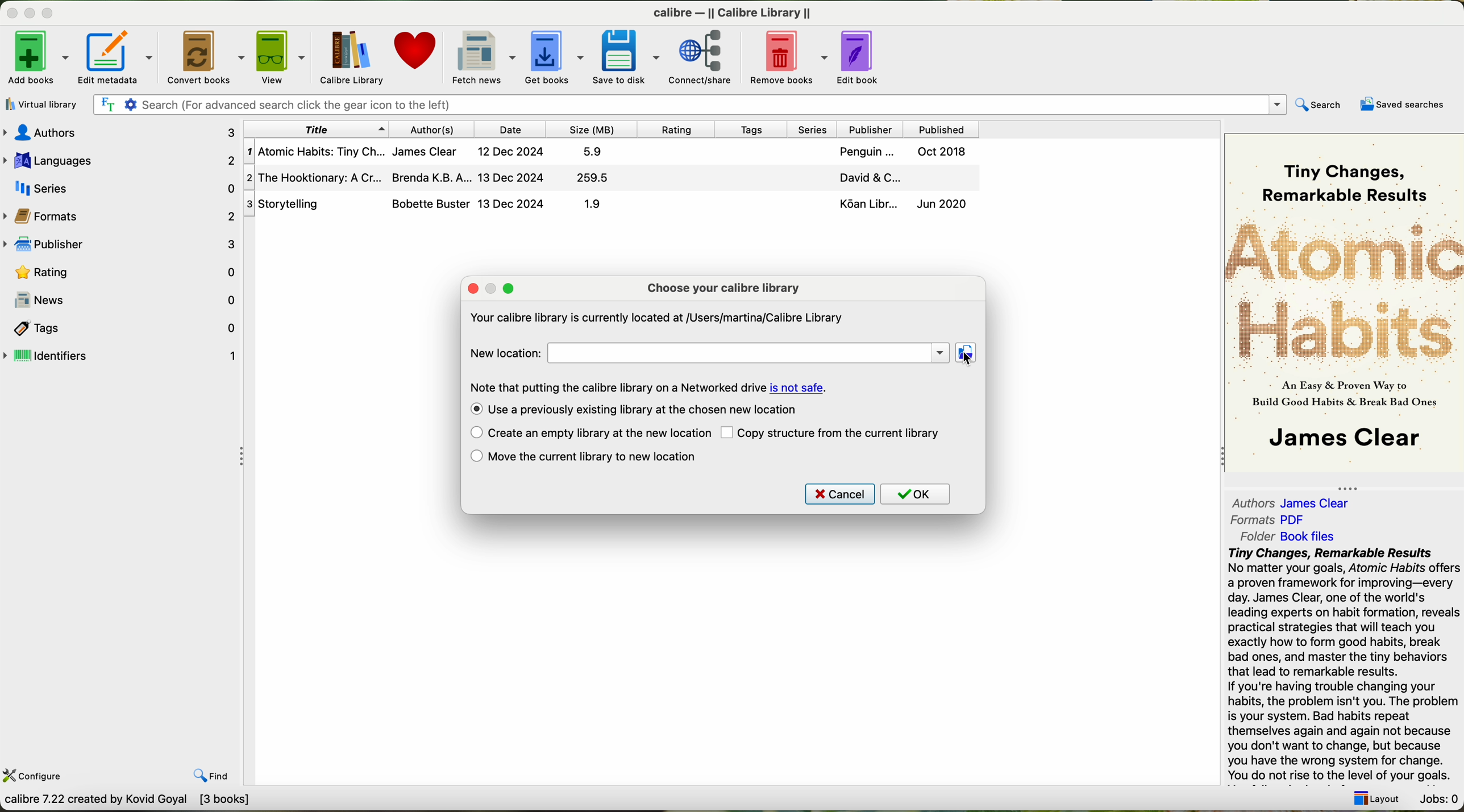 This screenshot has width=1464, height=812. Describe the element at coordinates (513, 129) in the screenshot. I see `date` at that location.